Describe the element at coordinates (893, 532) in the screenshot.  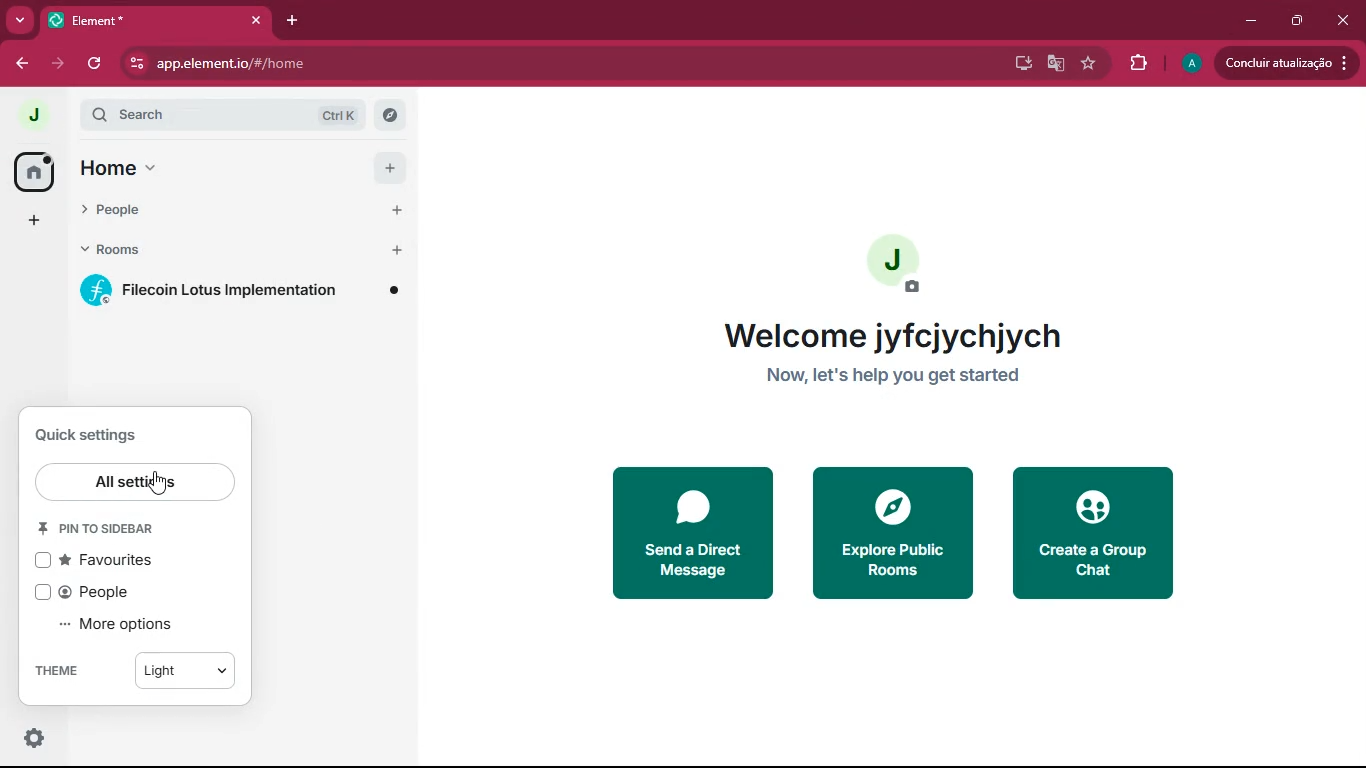
I see `explore a public rooms` at that location.